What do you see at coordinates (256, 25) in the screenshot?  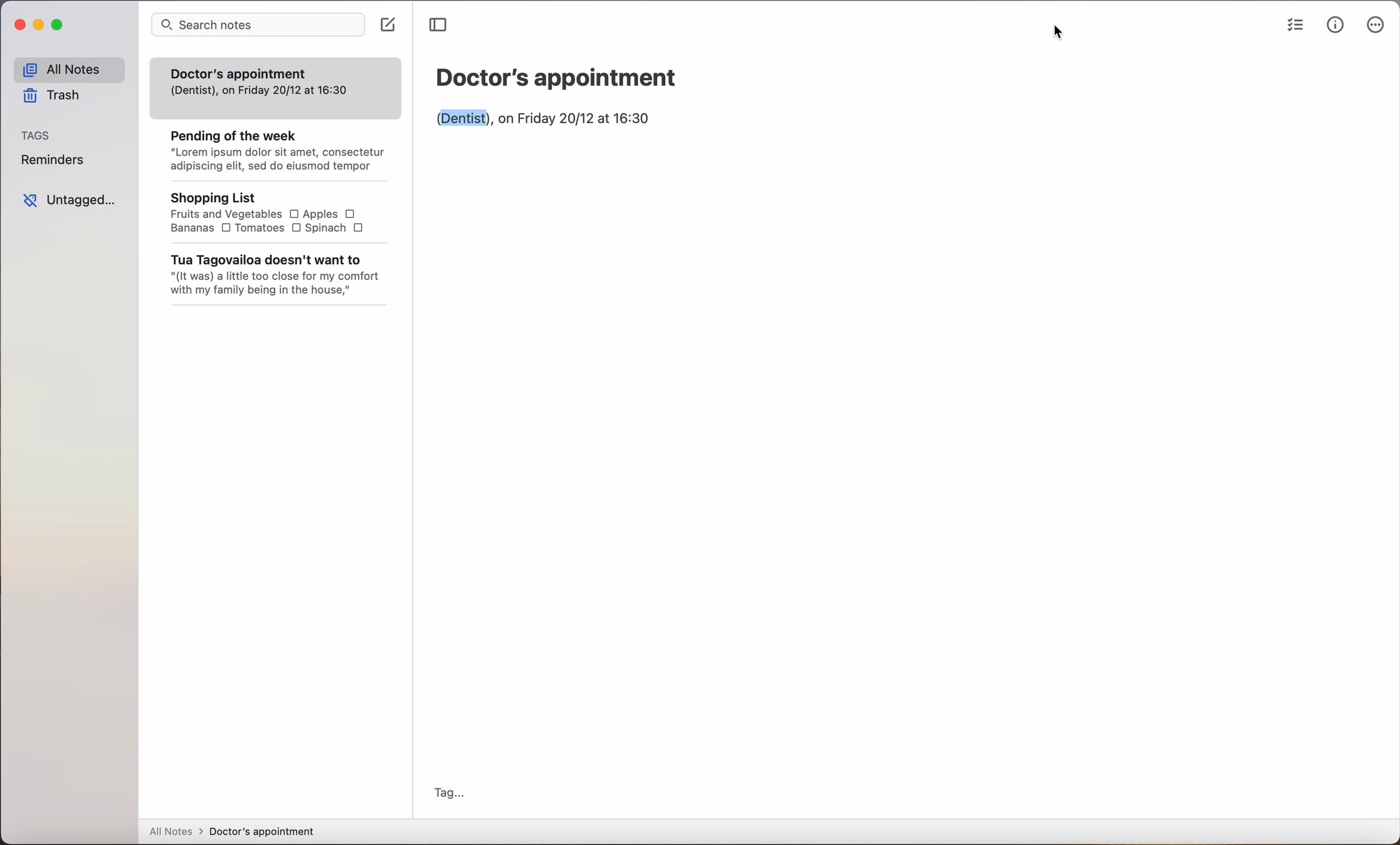 I see `search notes` at bounding box center [256, 25].